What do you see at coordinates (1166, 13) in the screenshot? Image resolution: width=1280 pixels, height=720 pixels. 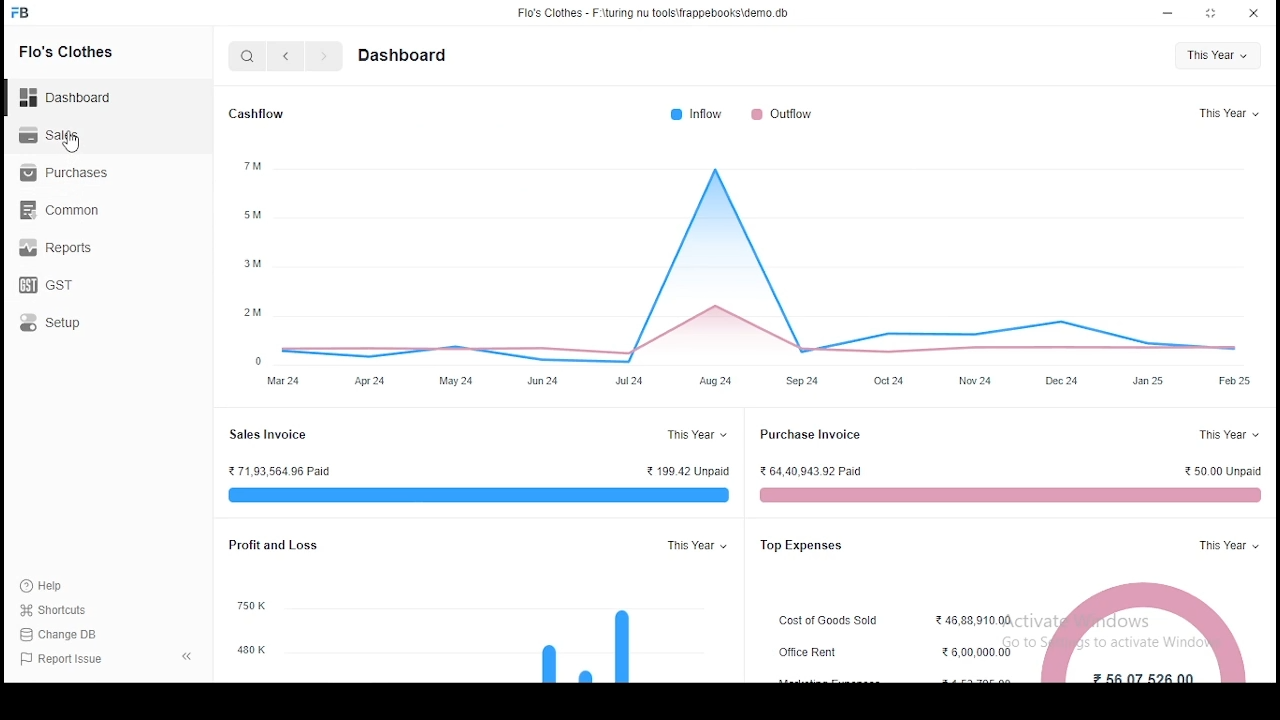 I see `minimize` at bounding box center [1166, 13].